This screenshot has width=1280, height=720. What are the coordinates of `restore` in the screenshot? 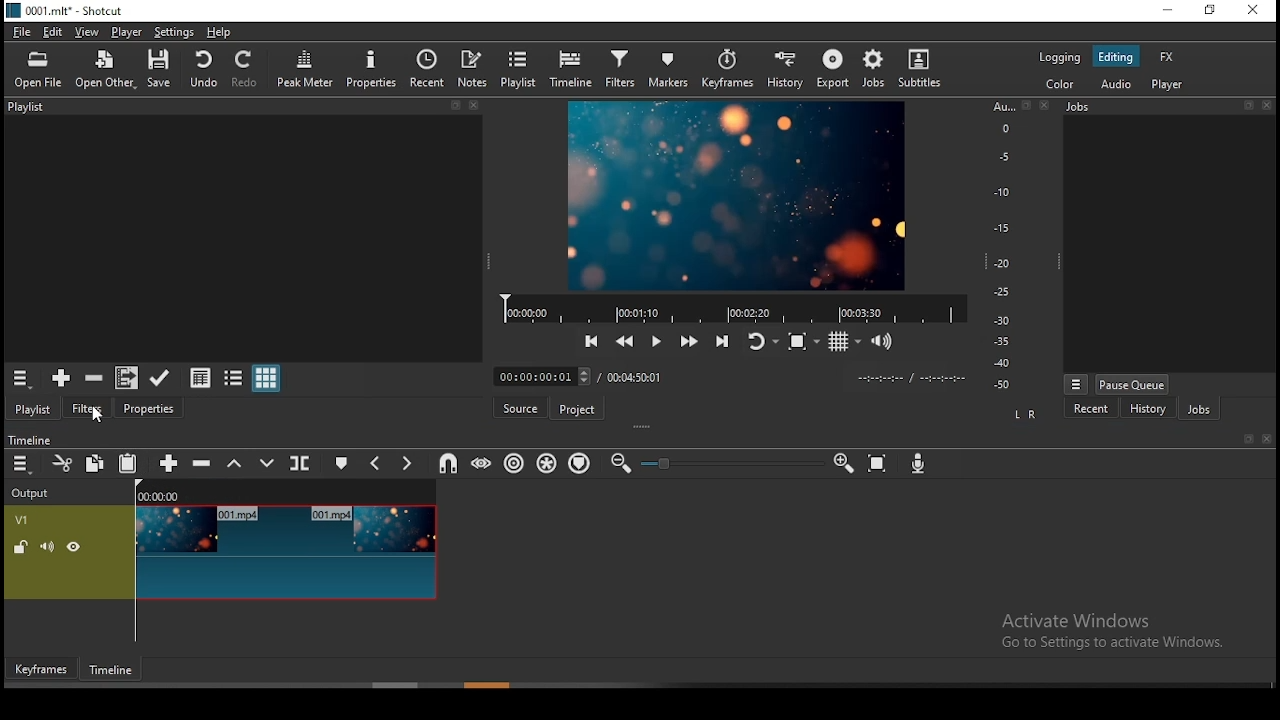 It's located at (1211, 9).